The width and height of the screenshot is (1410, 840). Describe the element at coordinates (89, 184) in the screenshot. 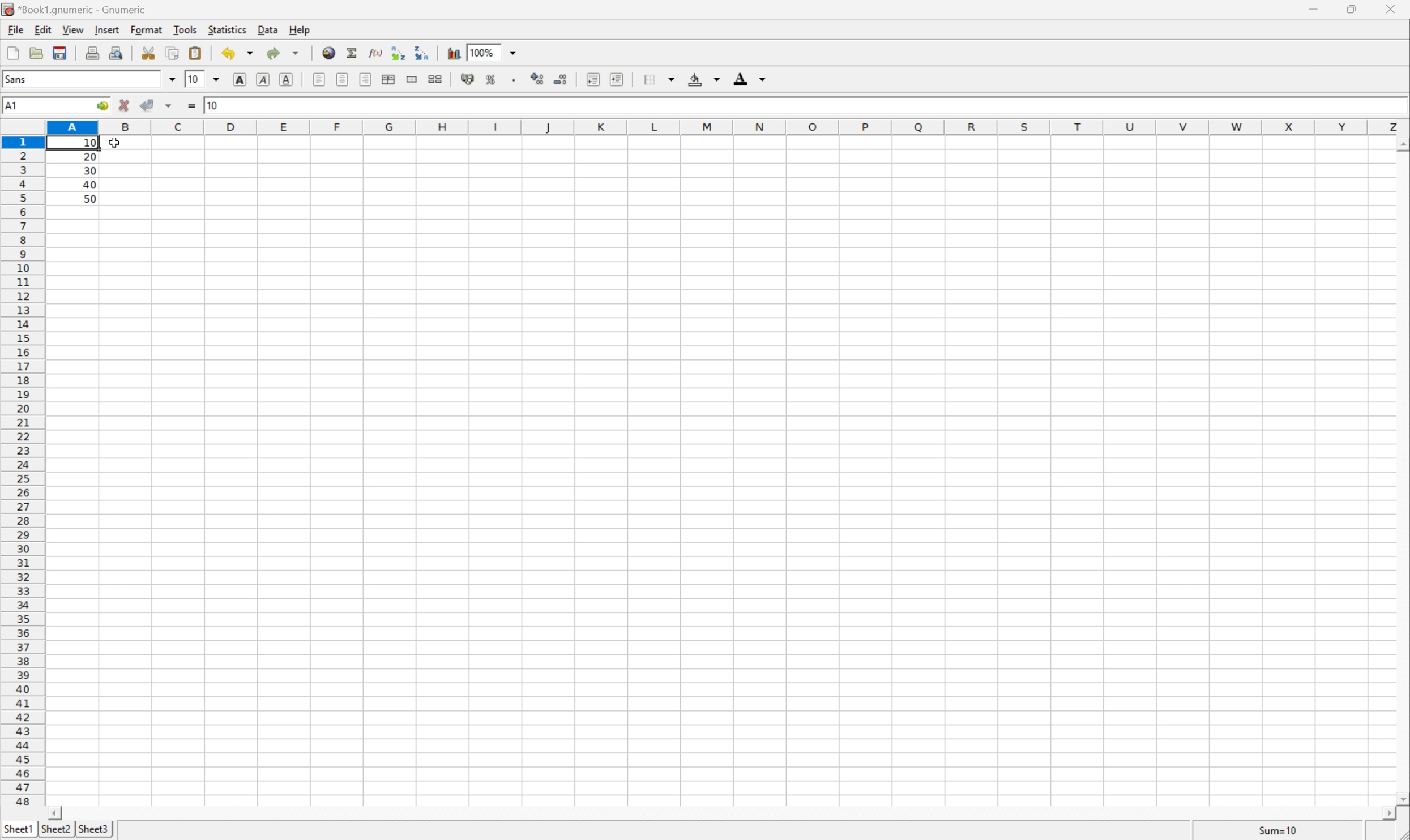

I see `40` at that location.